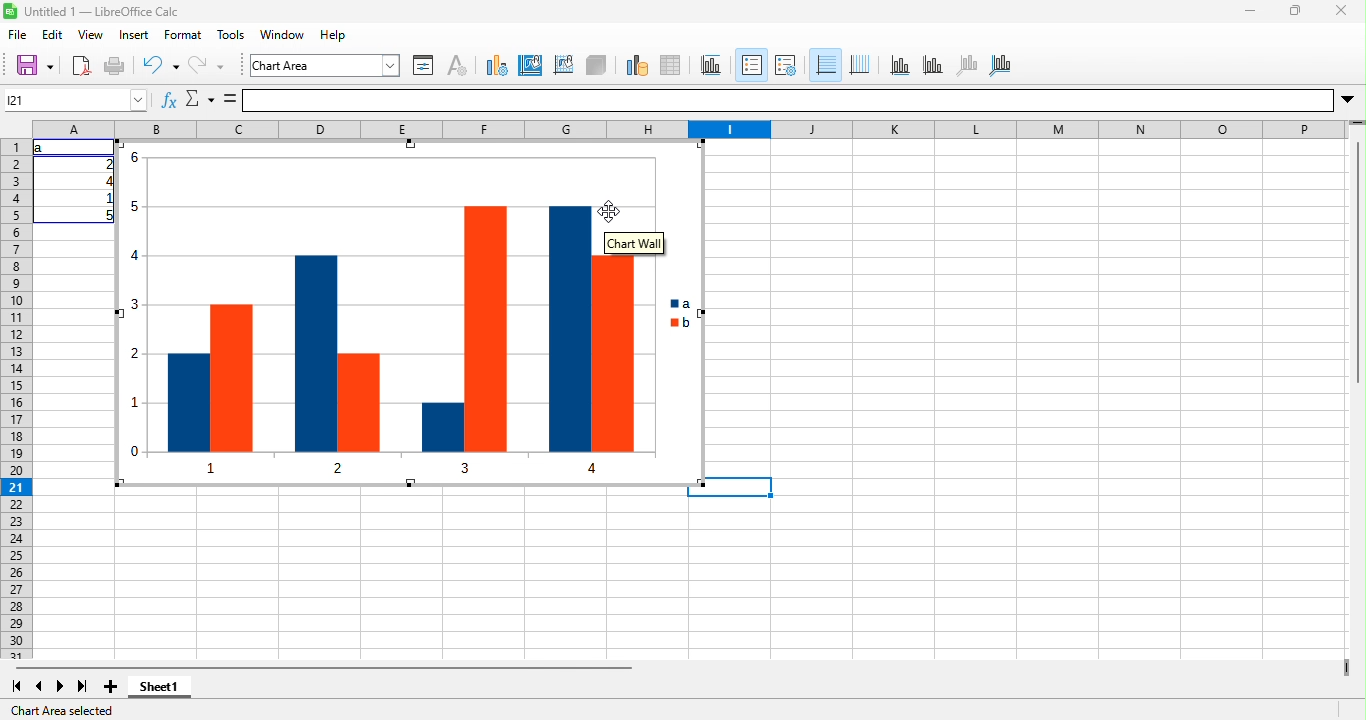 This screenshot has width=1366, height=720. What do you see at coordinates (34, 66) in the screenshot?
I see `save` at bounding box center [34, 66].